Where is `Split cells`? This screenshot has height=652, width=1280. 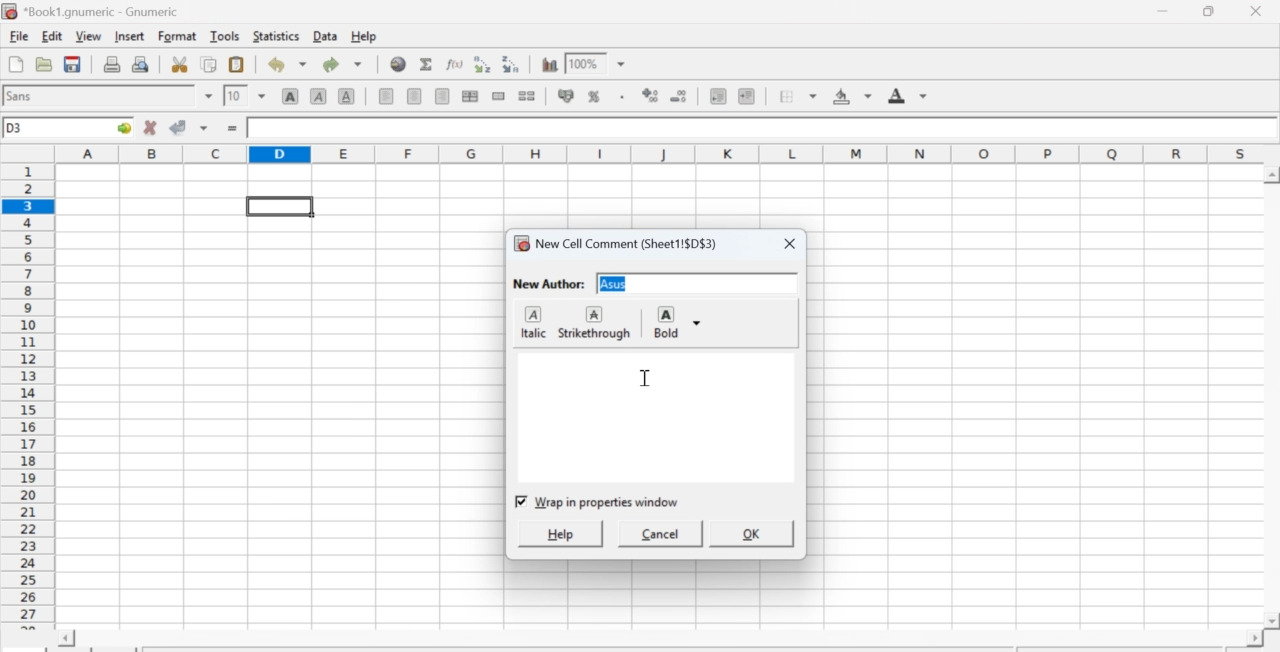
Split cells is located at coordinates (526, 96).